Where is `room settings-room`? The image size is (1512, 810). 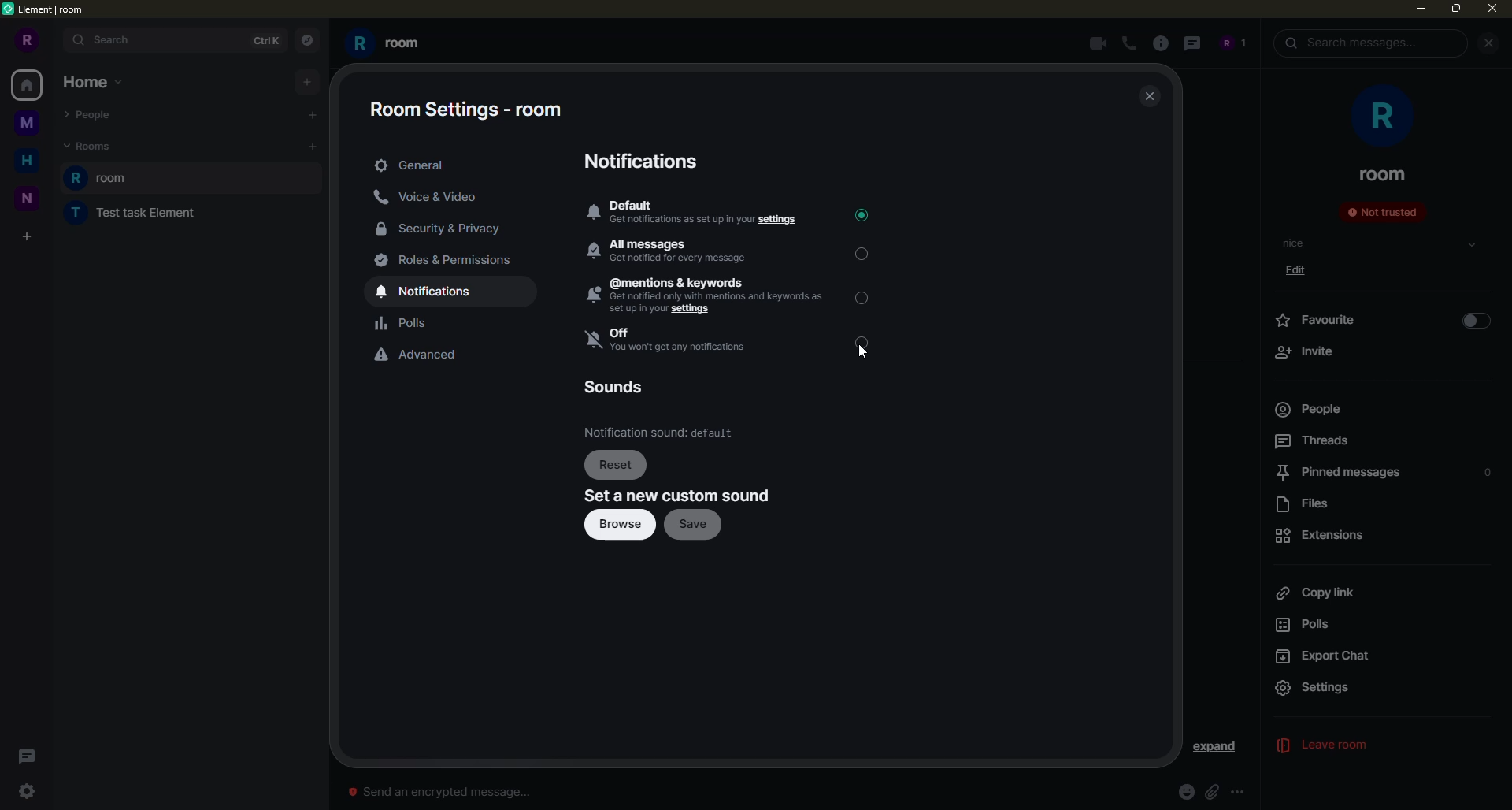
room settings-room is located at coordinates (469, 112).